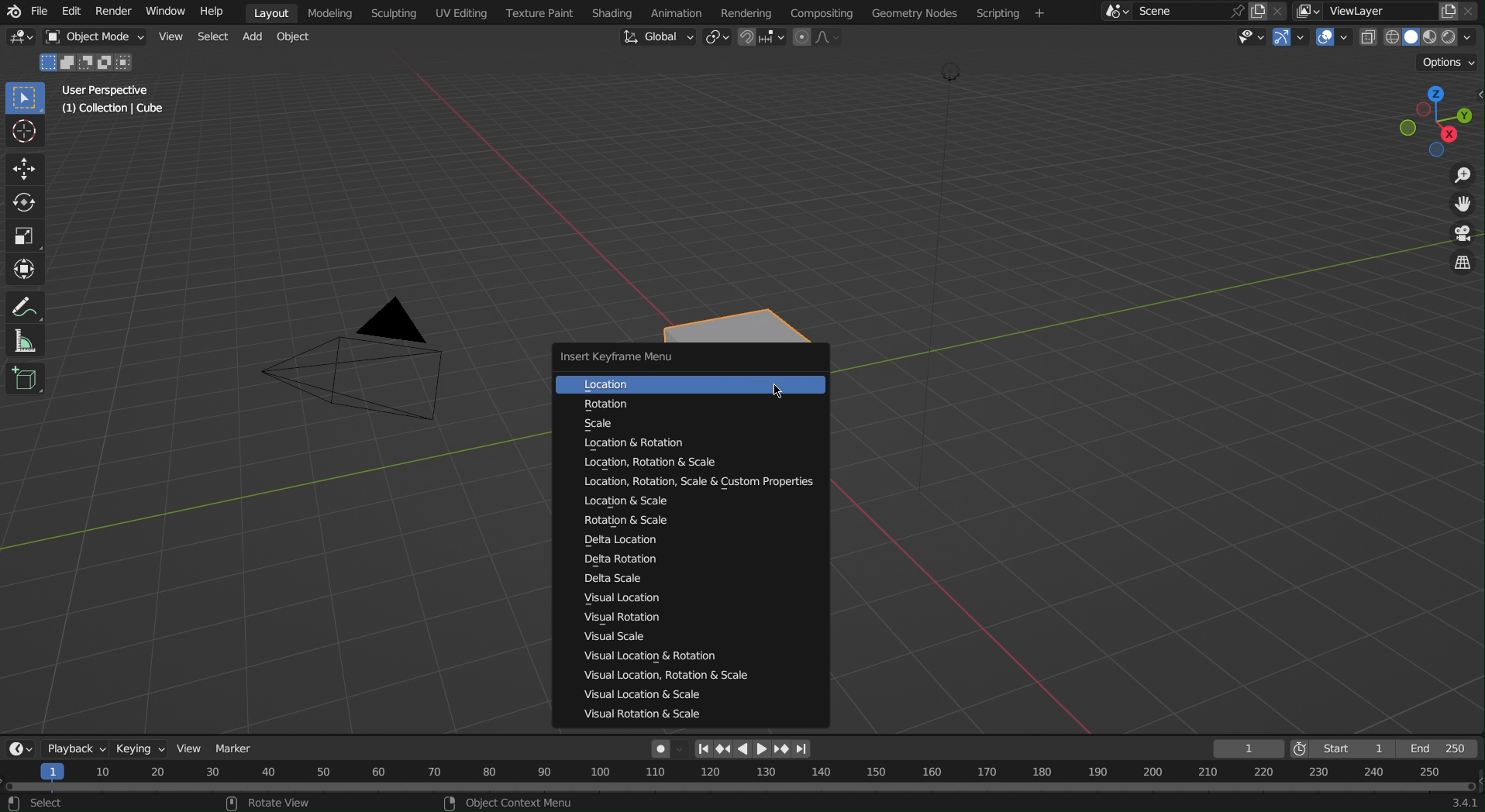  I want to click on Object Mode, so click(94, 37).